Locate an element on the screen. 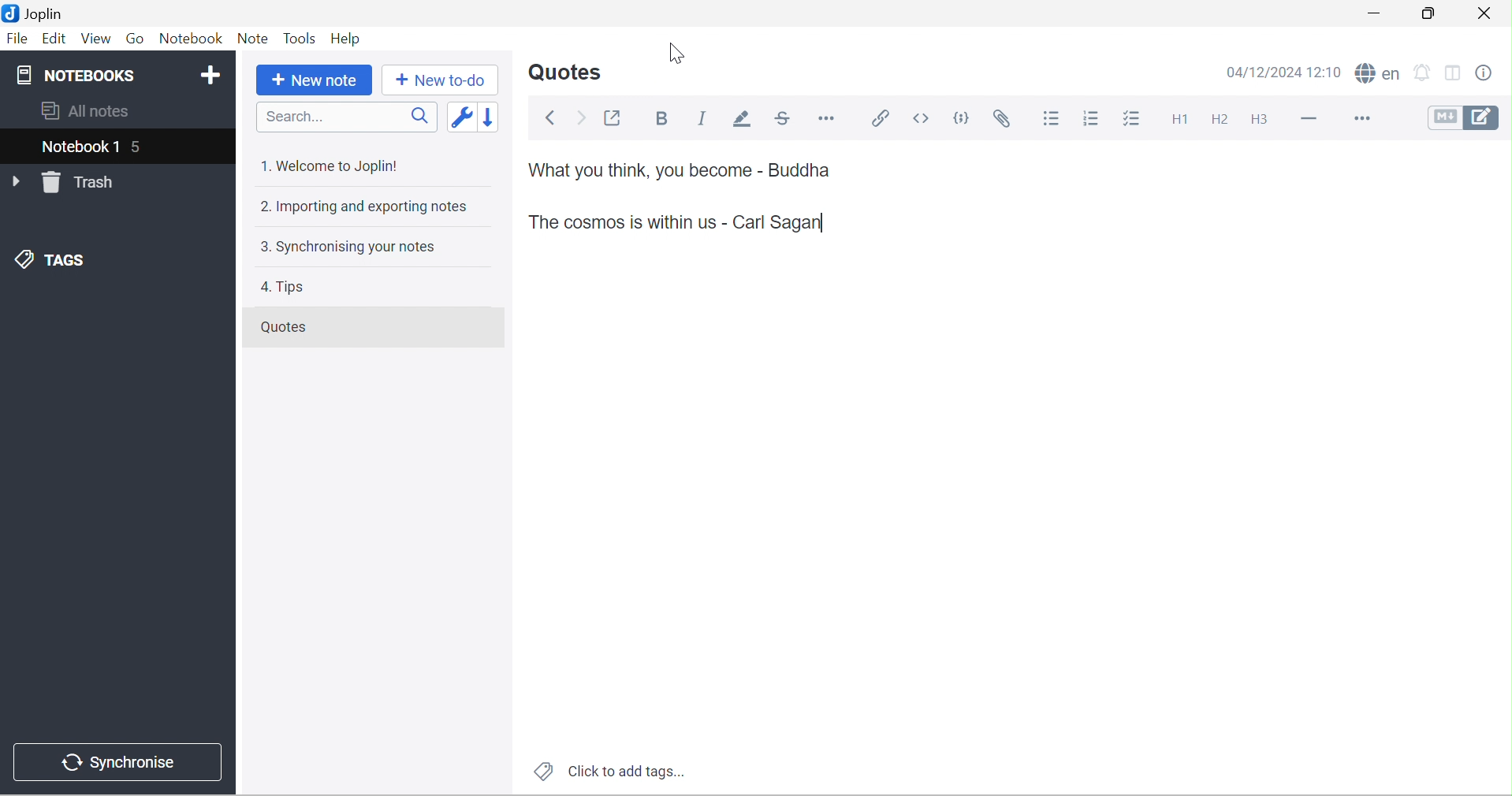 This screenshot has height=796, width=1512. More is located at coordinates (1361, 119).